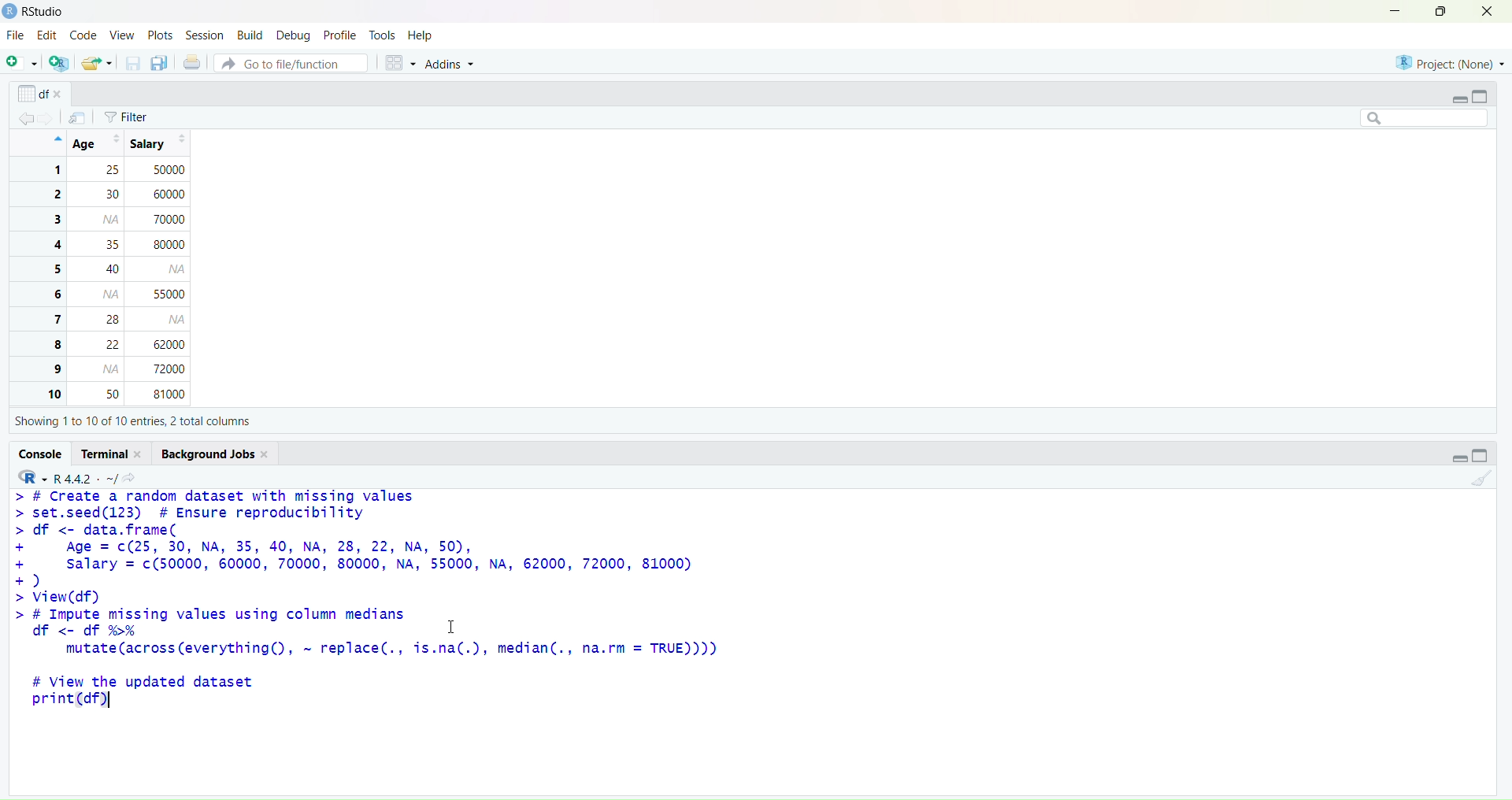 The image size is (1512, 800). I want to click on addins, so click(454, 67).